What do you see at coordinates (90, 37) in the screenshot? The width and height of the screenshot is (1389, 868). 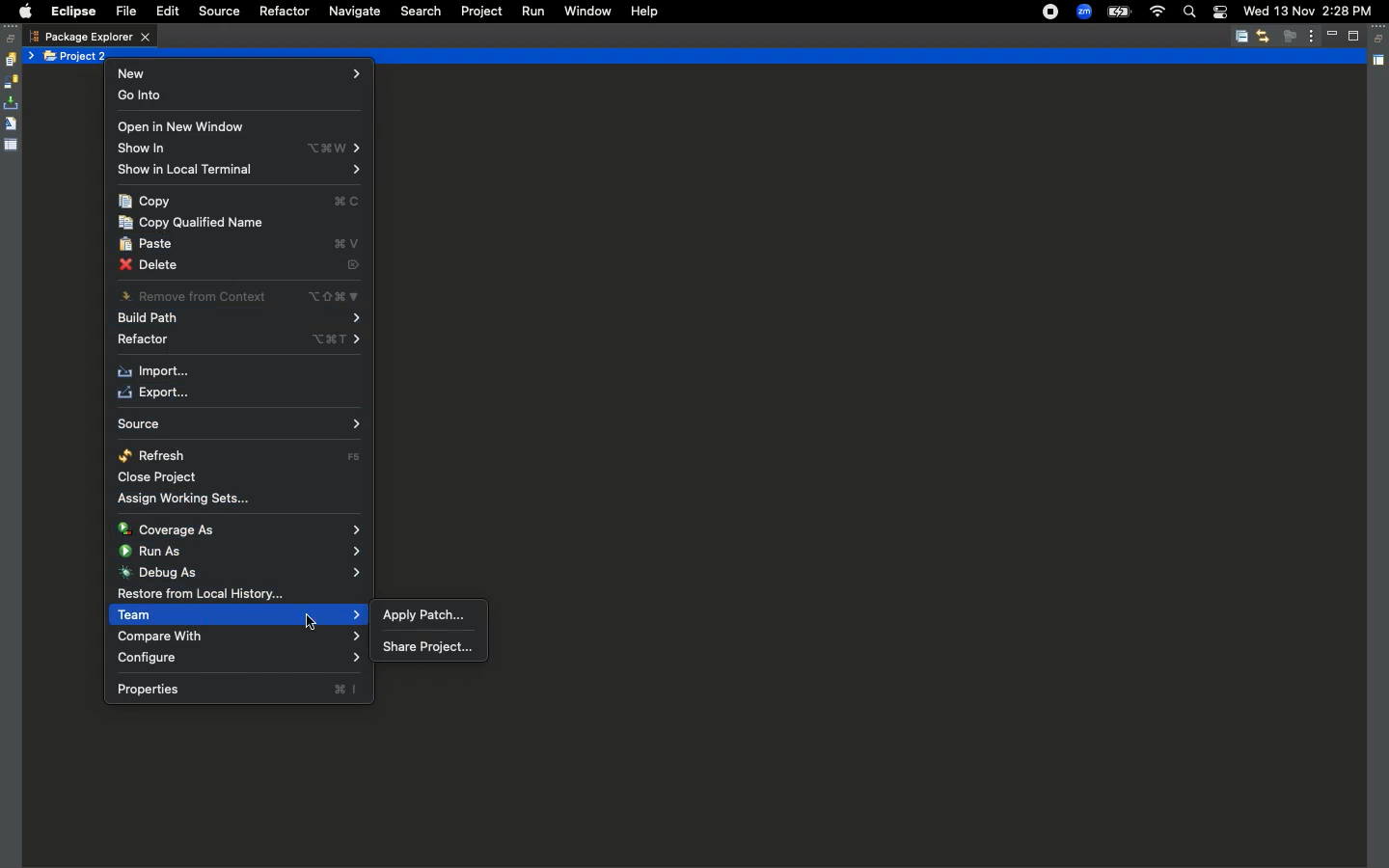 I see `Package explorer` at bounding box center [90, 37].